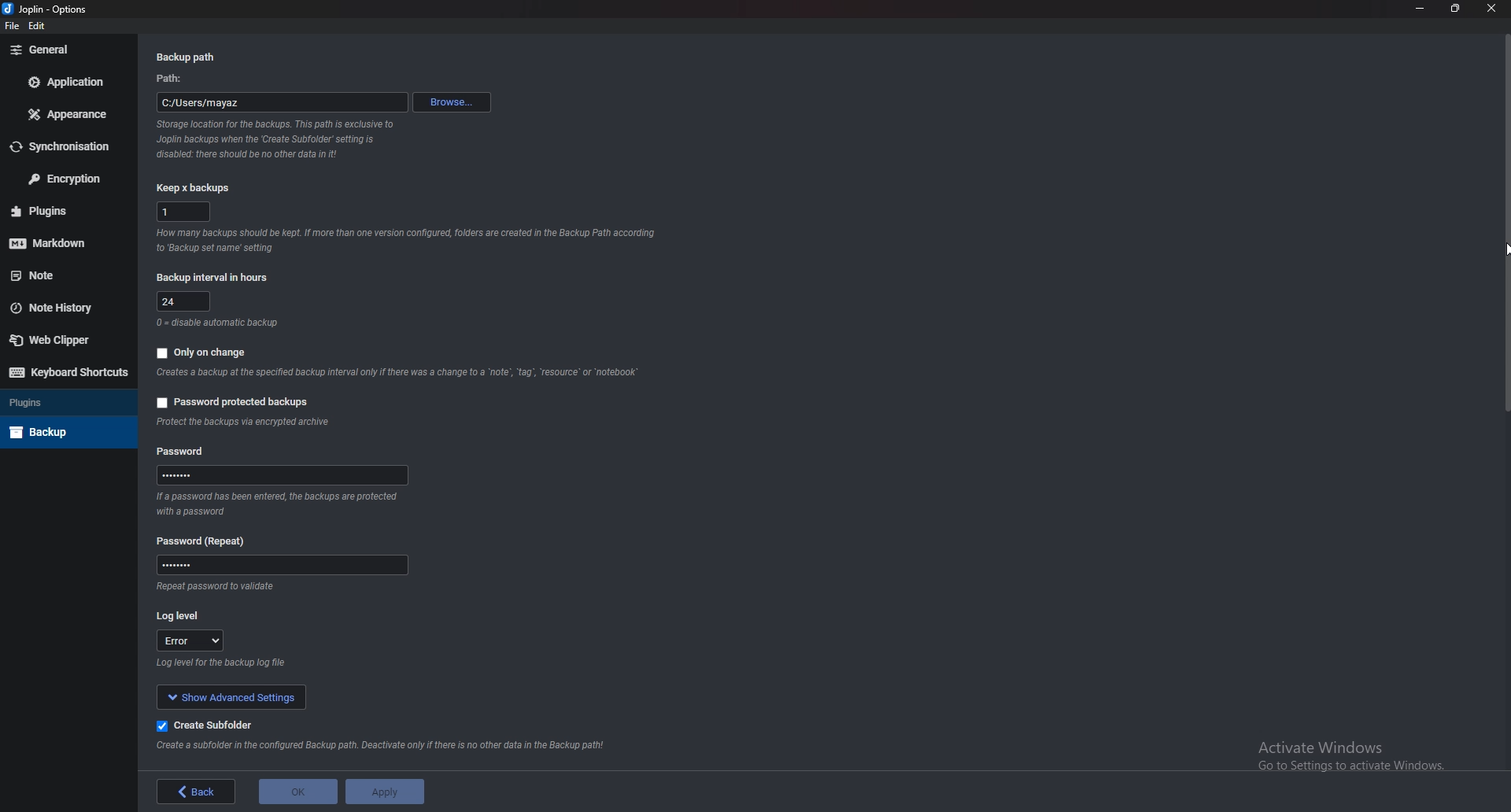 The height and width of the screenshot is (812, 1511). What do you see at coordinates (211, 726) in the screenshot?
I see `Create sidebar` at bounding box center [211, 726].